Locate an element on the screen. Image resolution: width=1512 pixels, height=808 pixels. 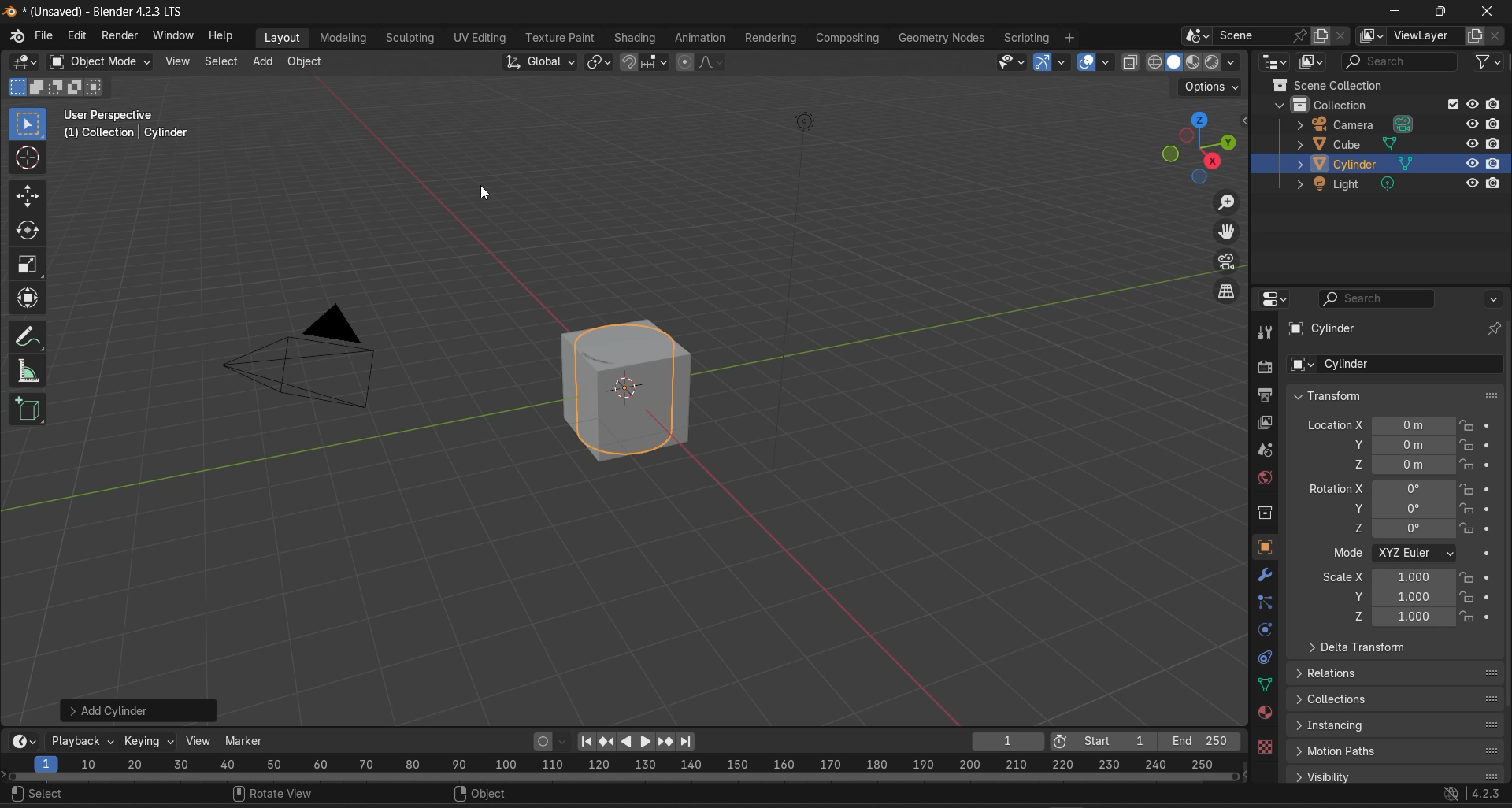
rendering range is located at coordinates (628, 762).